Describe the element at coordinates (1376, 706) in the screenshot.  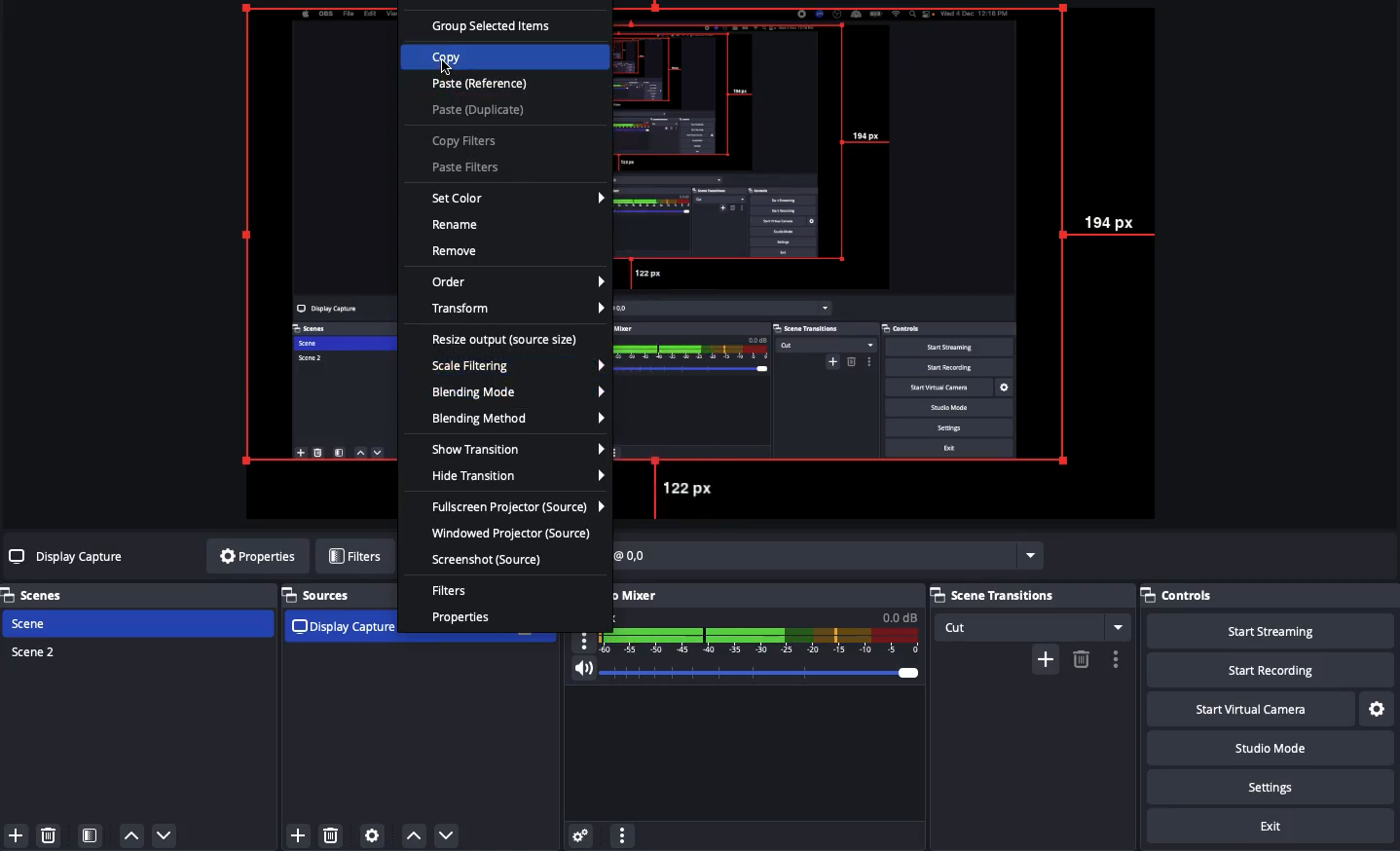
I see `Settings` at that location.